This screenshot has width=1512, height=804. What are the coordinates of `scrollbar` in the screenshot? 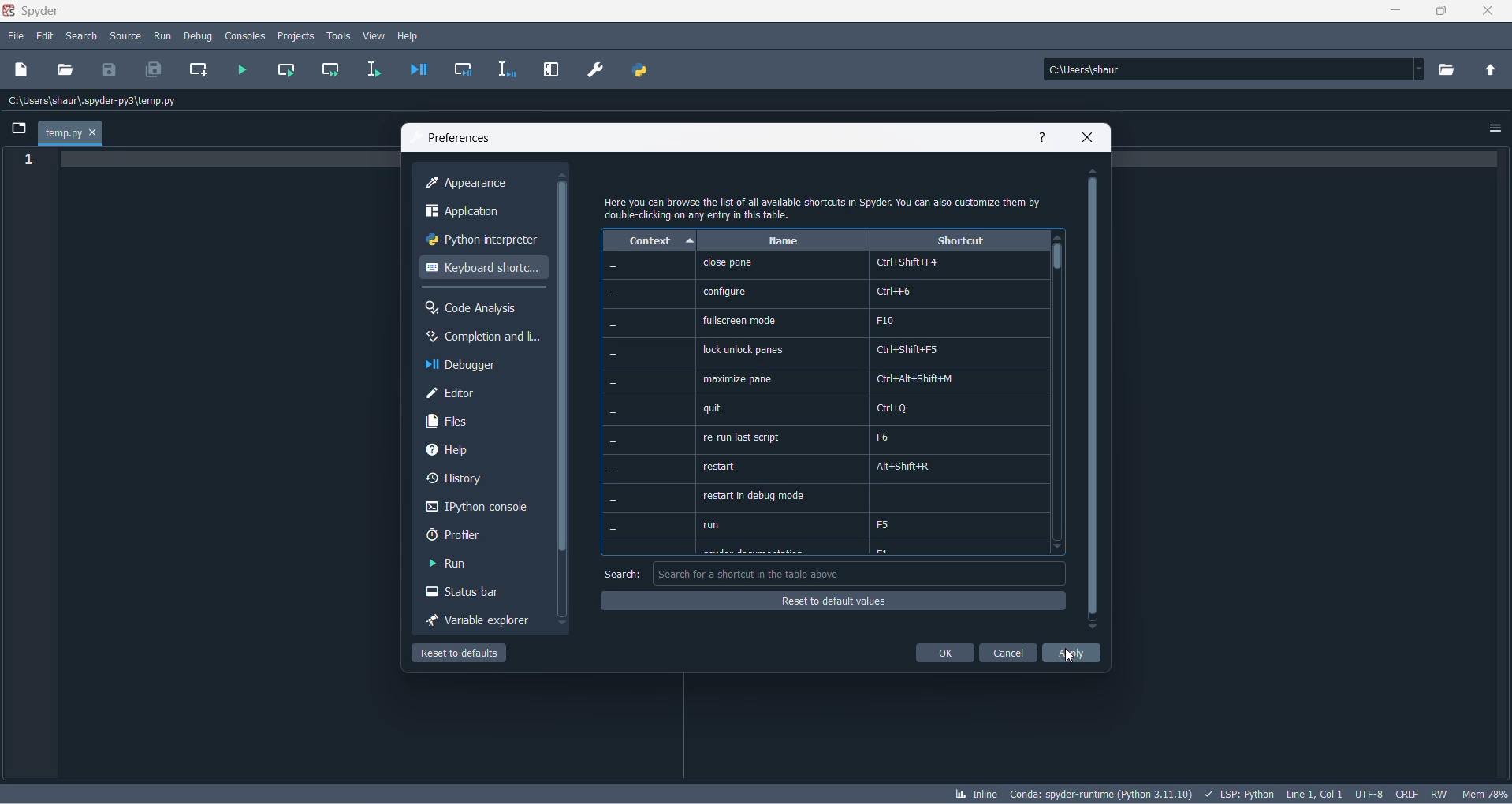 It's located at (1092, 400).